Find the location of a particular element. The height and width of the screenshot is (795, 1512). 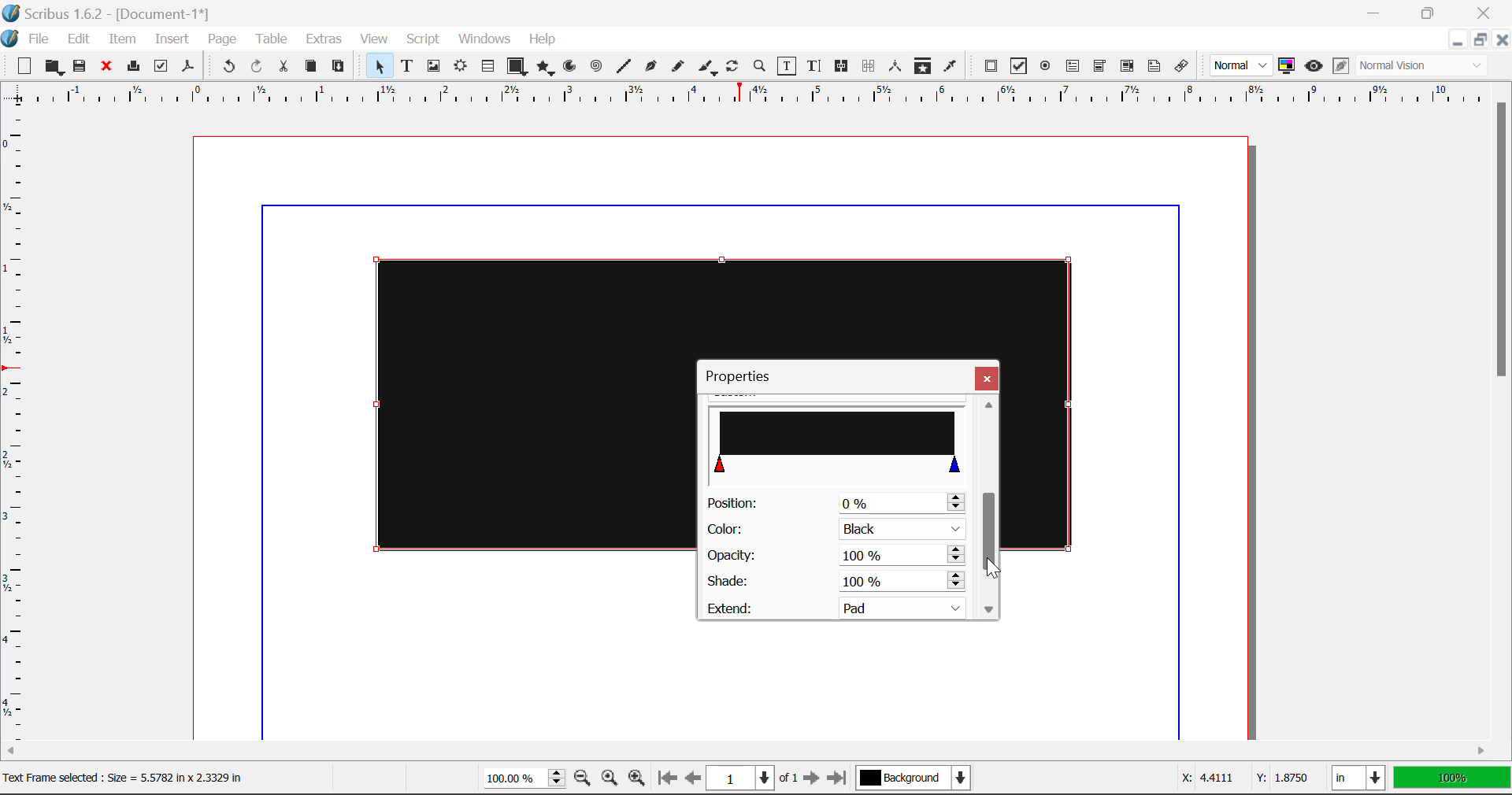

Preflight Verifier is located at coordinates (161, 68).